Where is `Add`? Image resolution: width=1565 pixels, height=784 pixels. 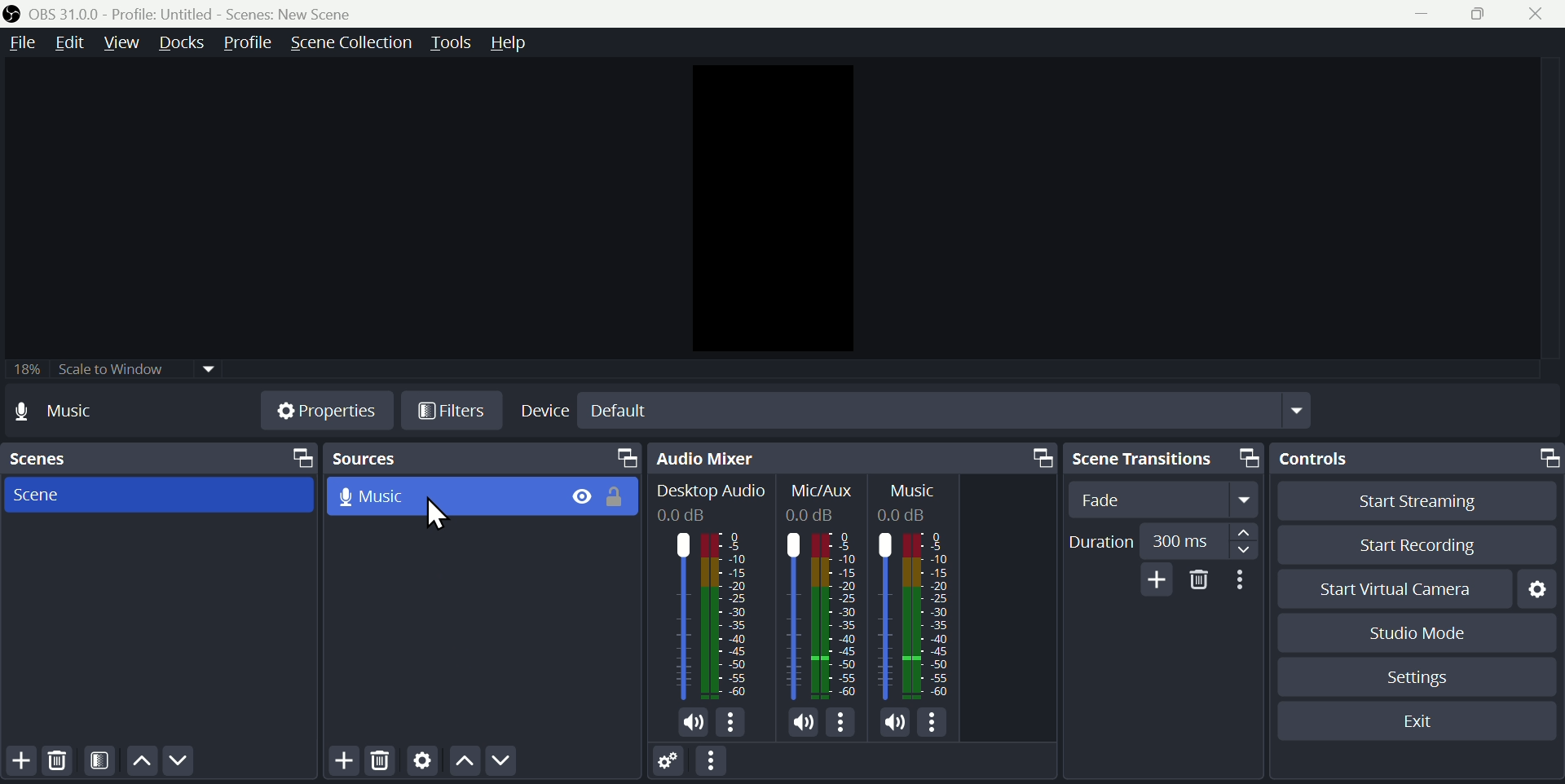
Add is located at coordinates (23, 765).